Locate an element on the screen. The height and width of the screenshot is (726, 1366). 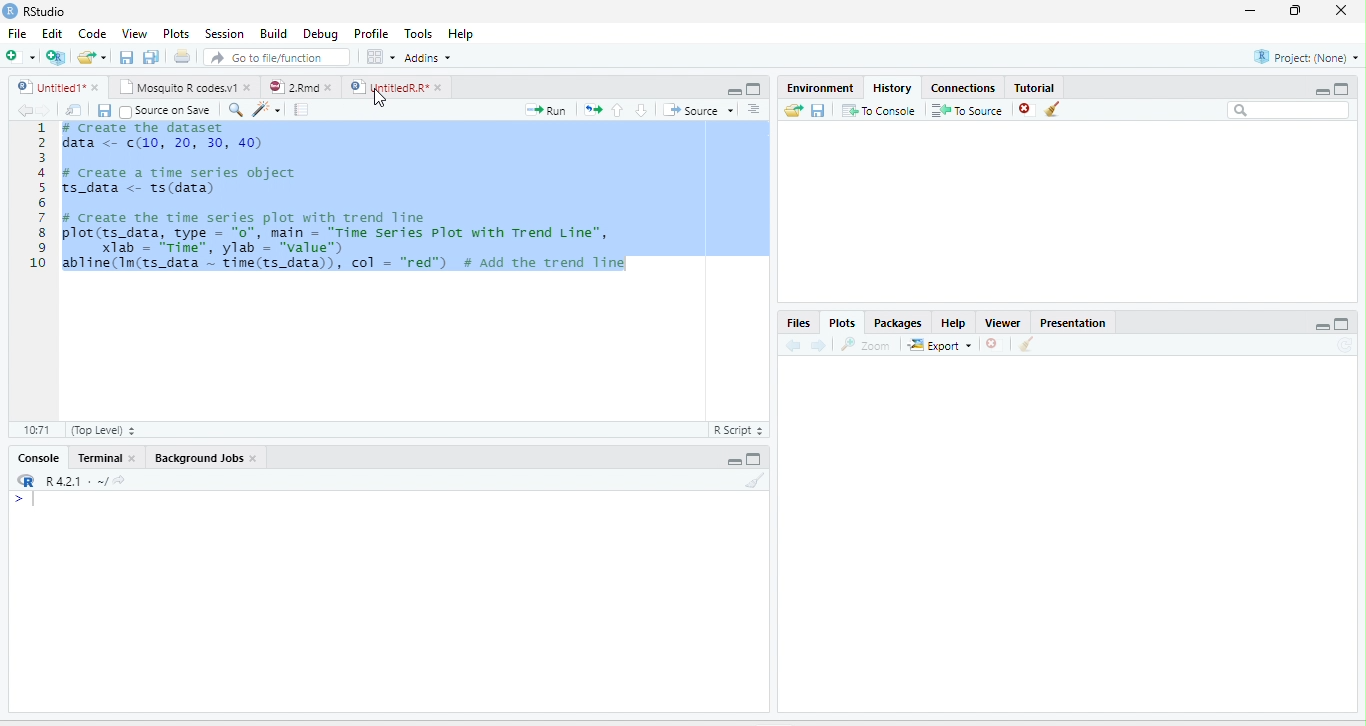
Open recent files is located at coordinates (104, 57).